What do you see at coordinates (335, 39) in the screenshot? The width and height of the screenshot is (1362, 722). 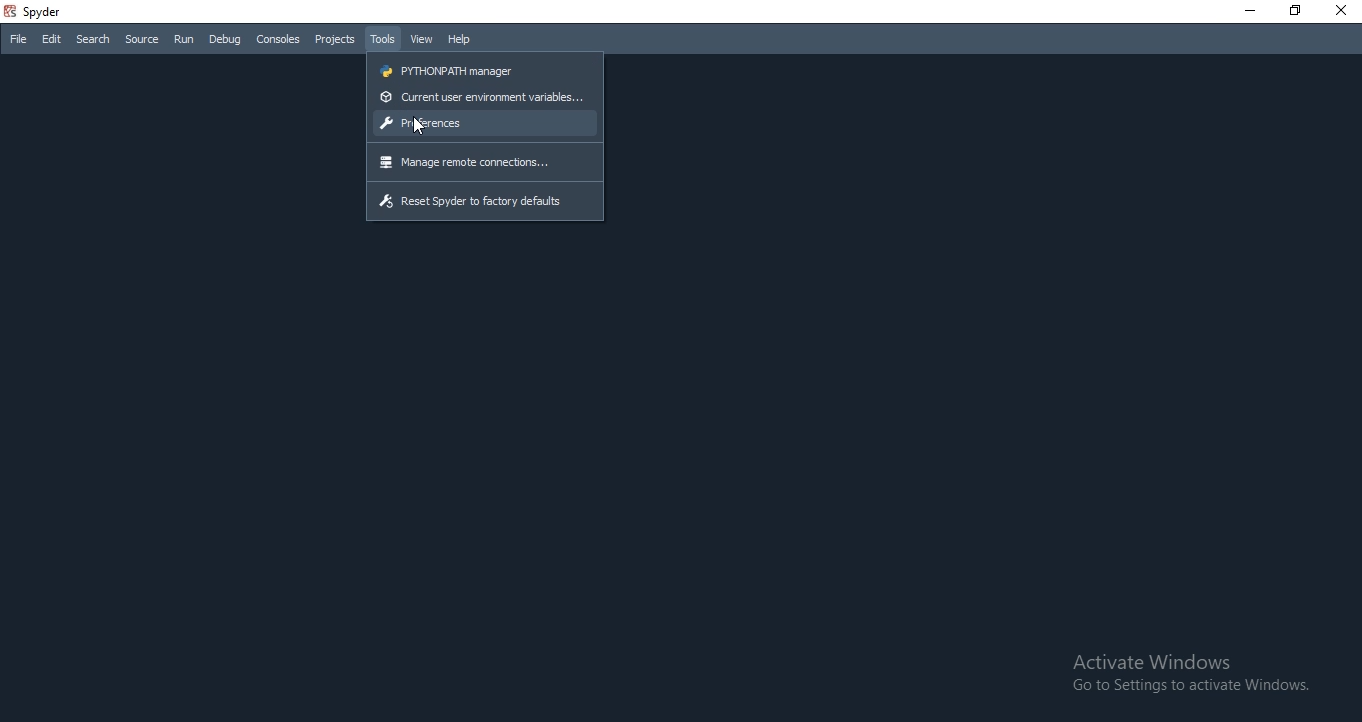 I see `` at bounding box center [335, 39].